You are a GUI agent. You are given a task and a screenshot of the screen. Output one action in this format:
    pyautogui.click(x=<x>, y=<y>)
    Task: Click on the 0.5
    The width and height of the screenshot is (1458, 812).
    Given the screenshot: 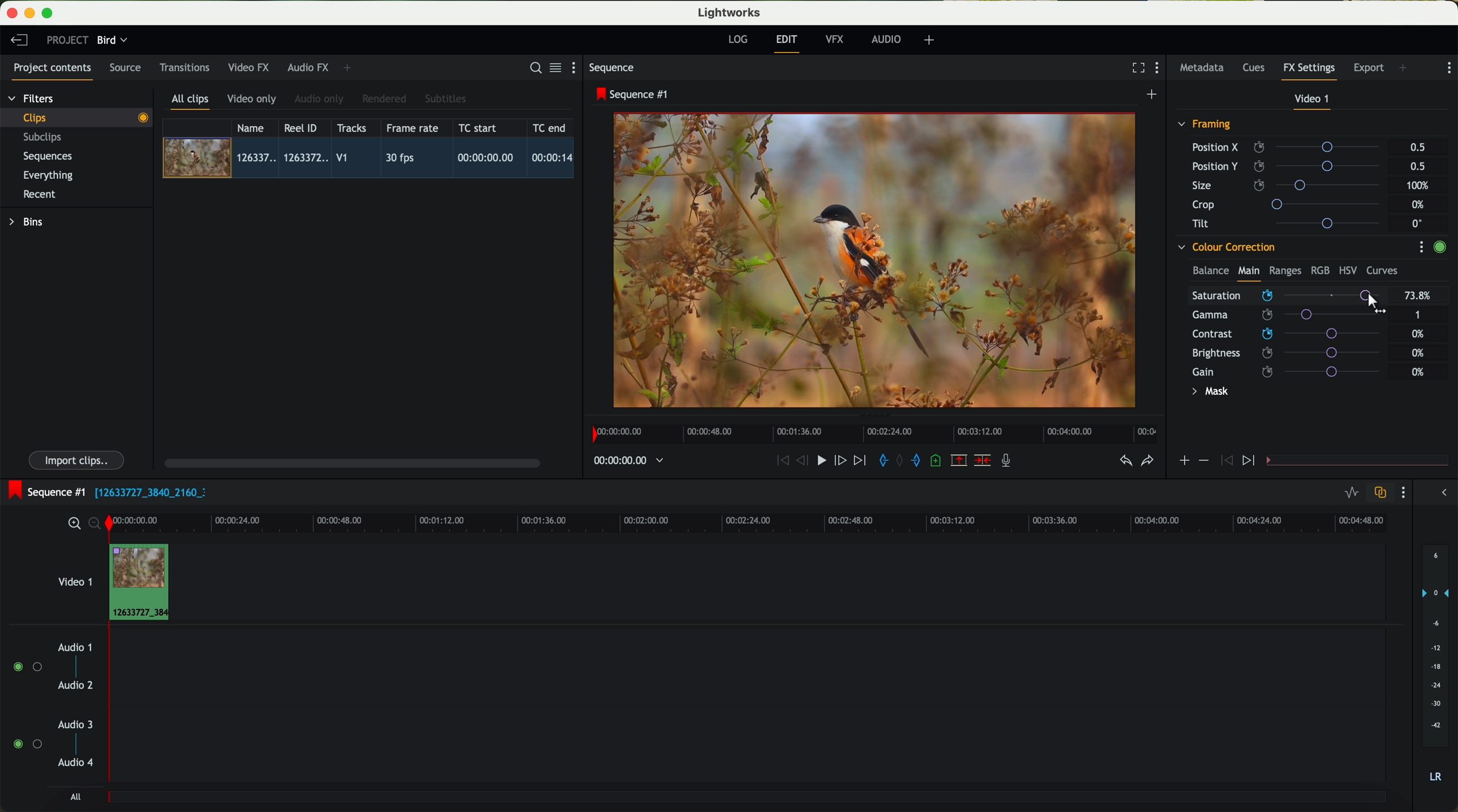 What is the action you would take?
    pyautogui.click(x=1417, y=166)
    